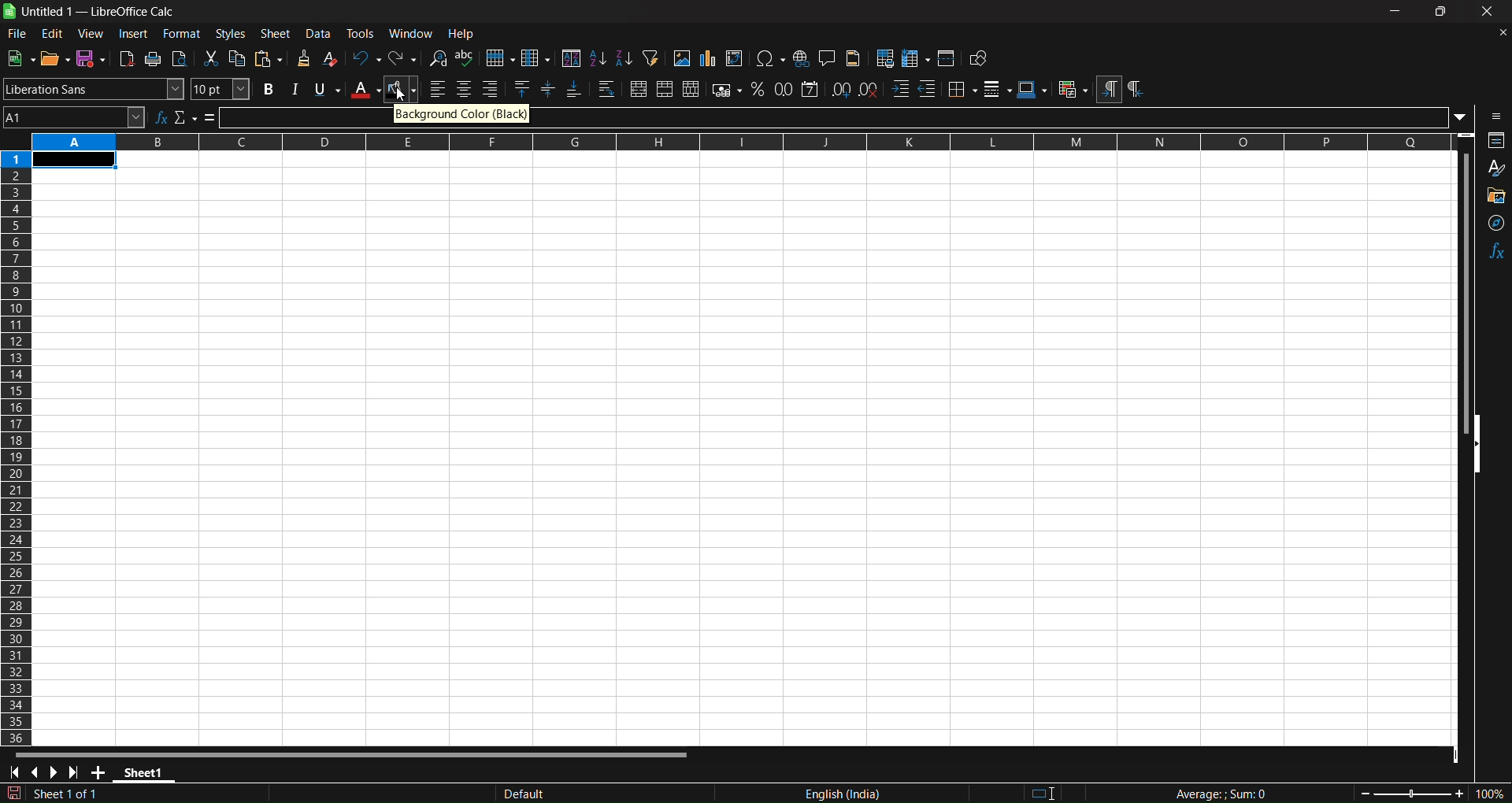 The height and width of the screenshot is (803, 1512). What do you see at coordinates (1227, 793) in the screenshot?
I see `formula` at bounding box center [1227, 793].